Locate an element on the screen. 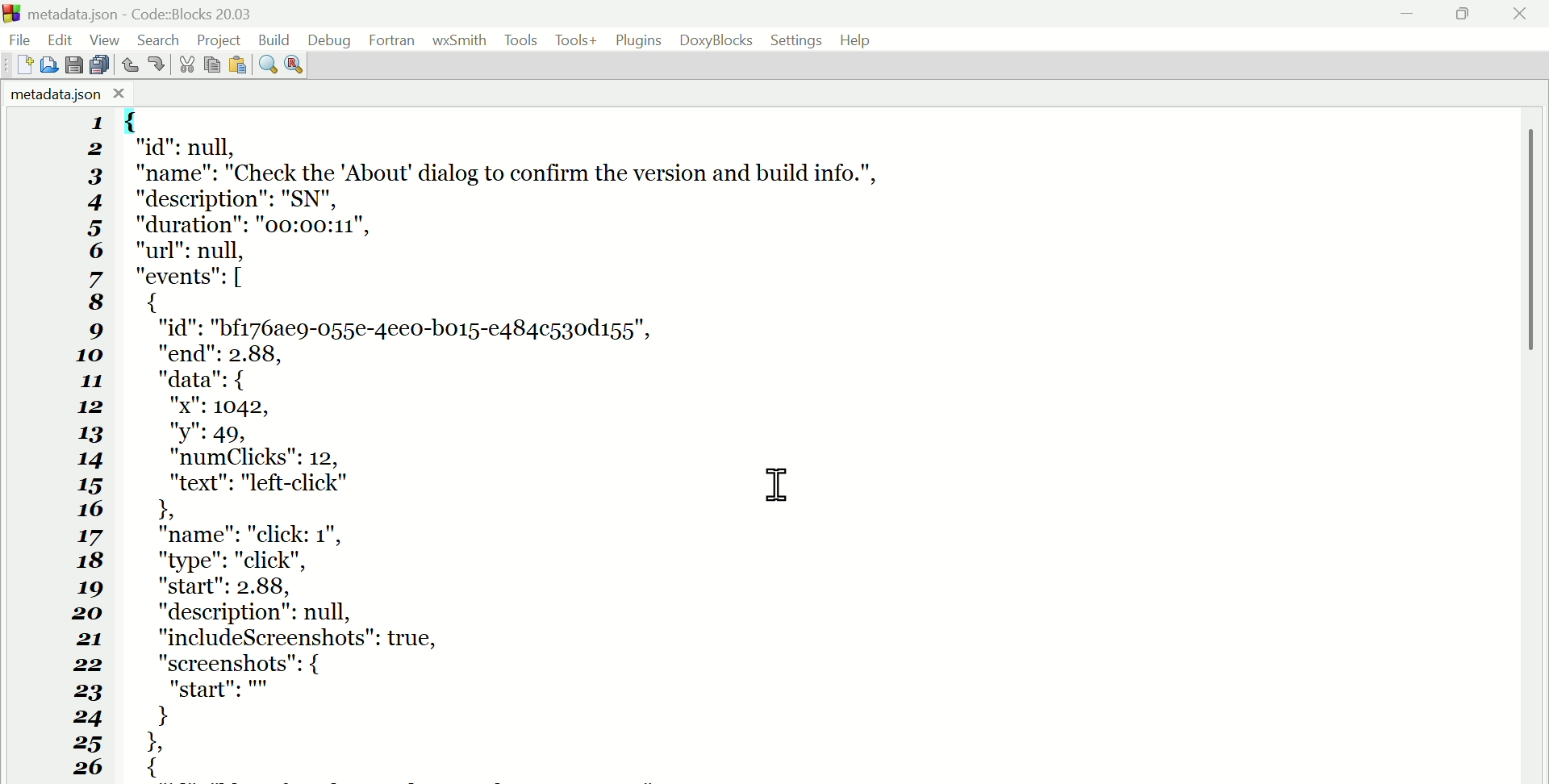  vertical scroll bar is located at coordinates (1534, 277).